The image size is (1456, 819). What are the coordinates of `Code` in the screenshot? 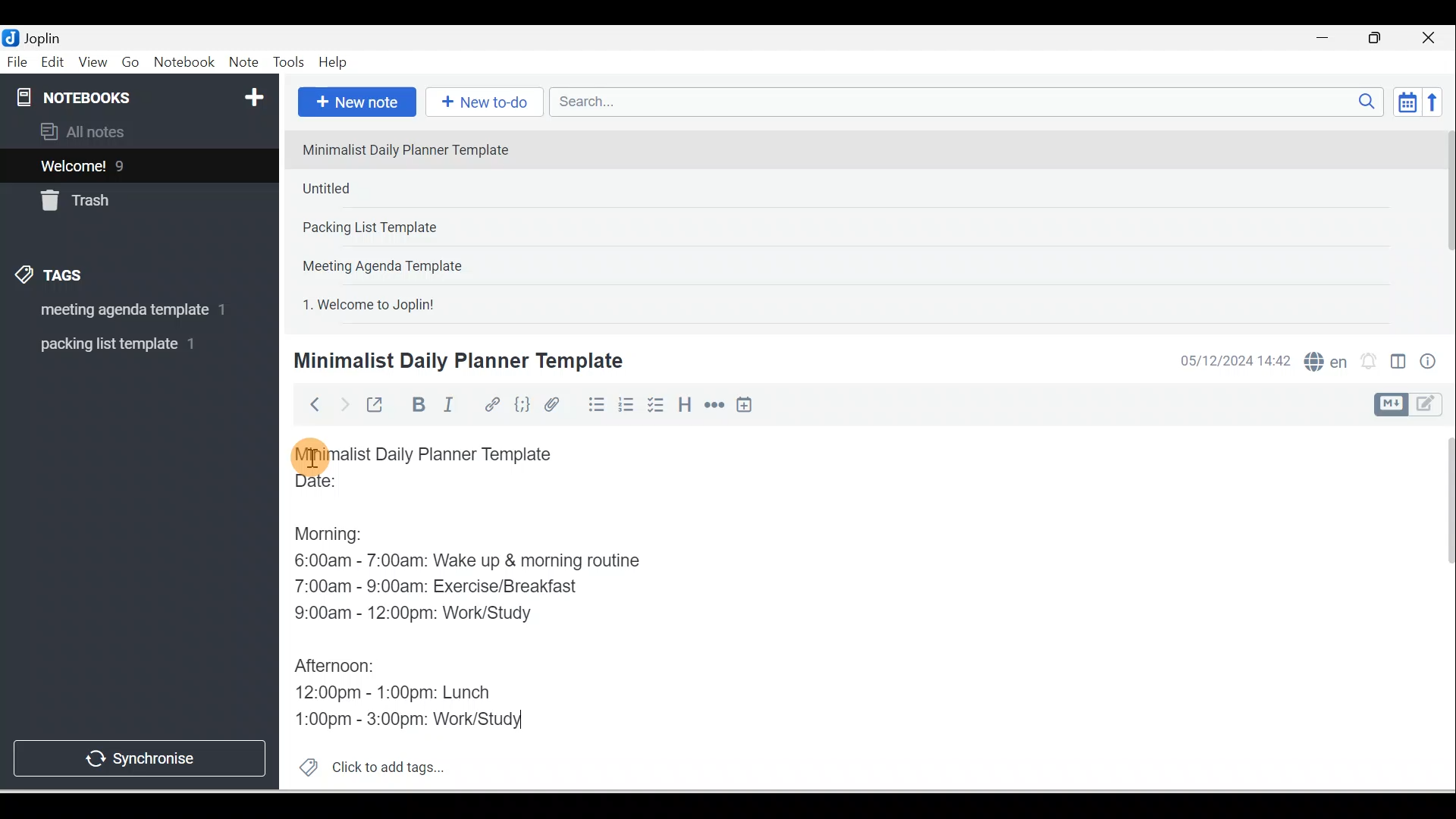 It's located at (522, 406).